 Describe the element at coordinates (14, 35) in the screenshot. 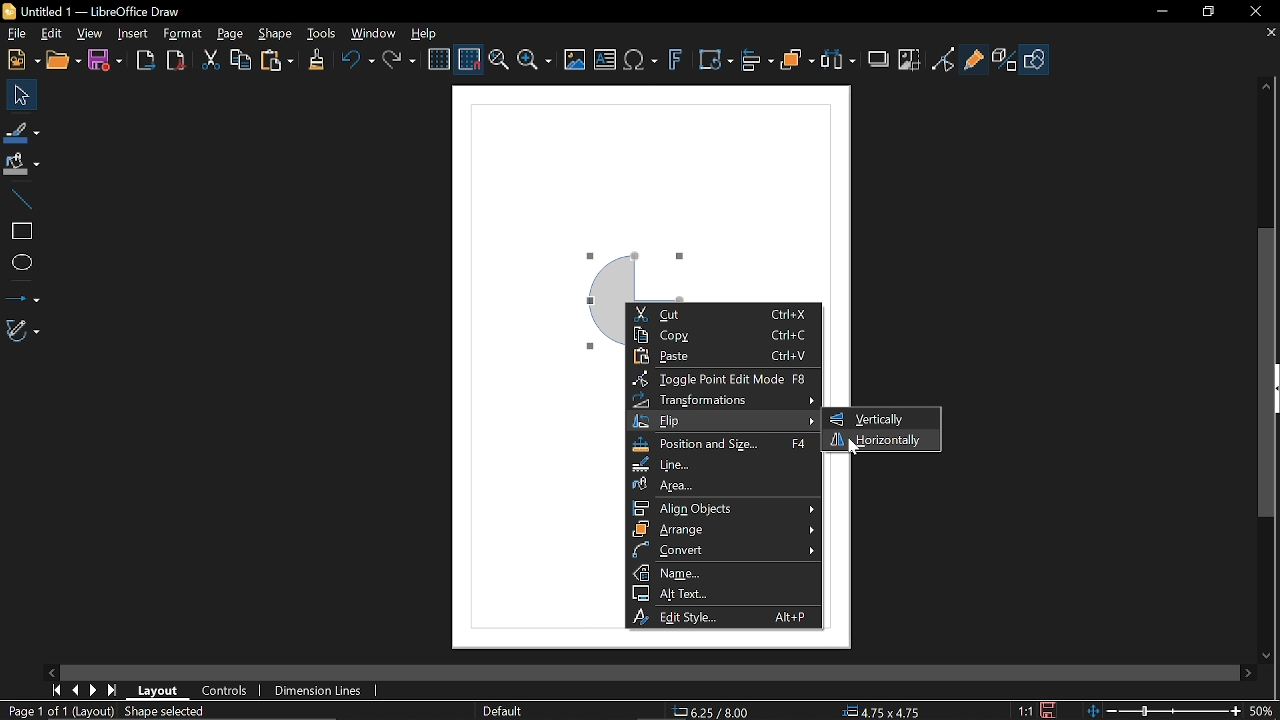

I see `File` at that location.